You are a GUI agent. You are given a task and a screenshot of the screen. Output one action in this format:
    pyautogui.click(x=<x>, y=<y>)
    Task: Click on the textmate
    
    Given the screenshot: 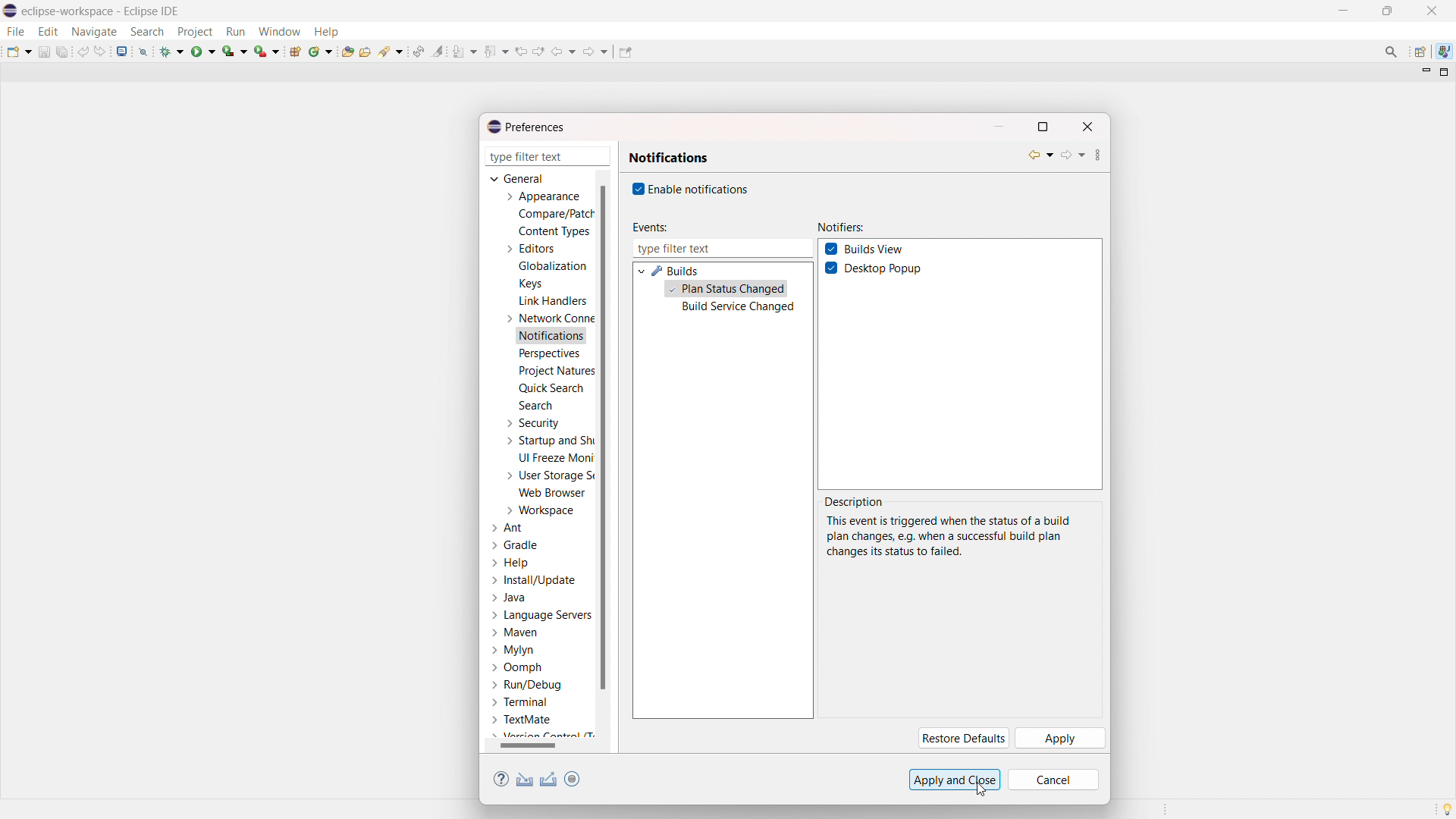 What is the action you would take?
    pyautogui.click(x=523, y=719)
    